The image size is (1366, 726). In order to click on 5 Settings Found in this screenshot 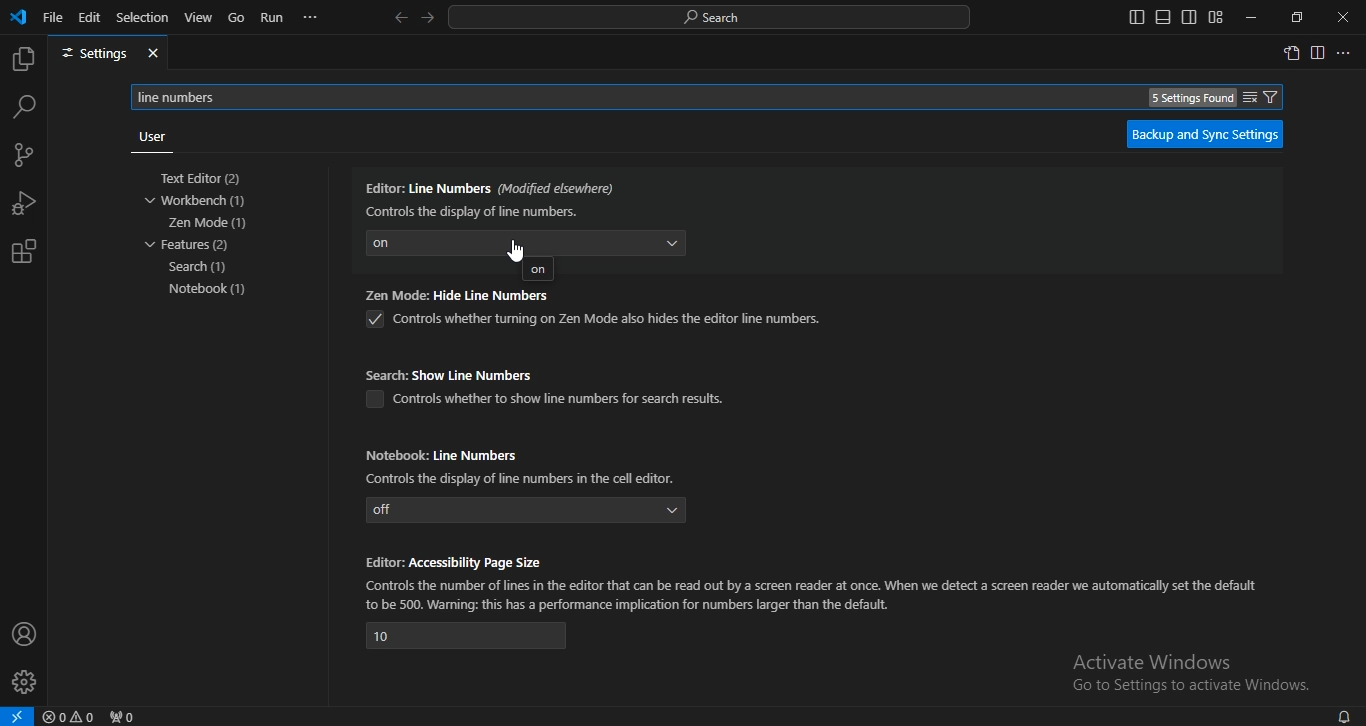, I will do `click(1192, 98)`.